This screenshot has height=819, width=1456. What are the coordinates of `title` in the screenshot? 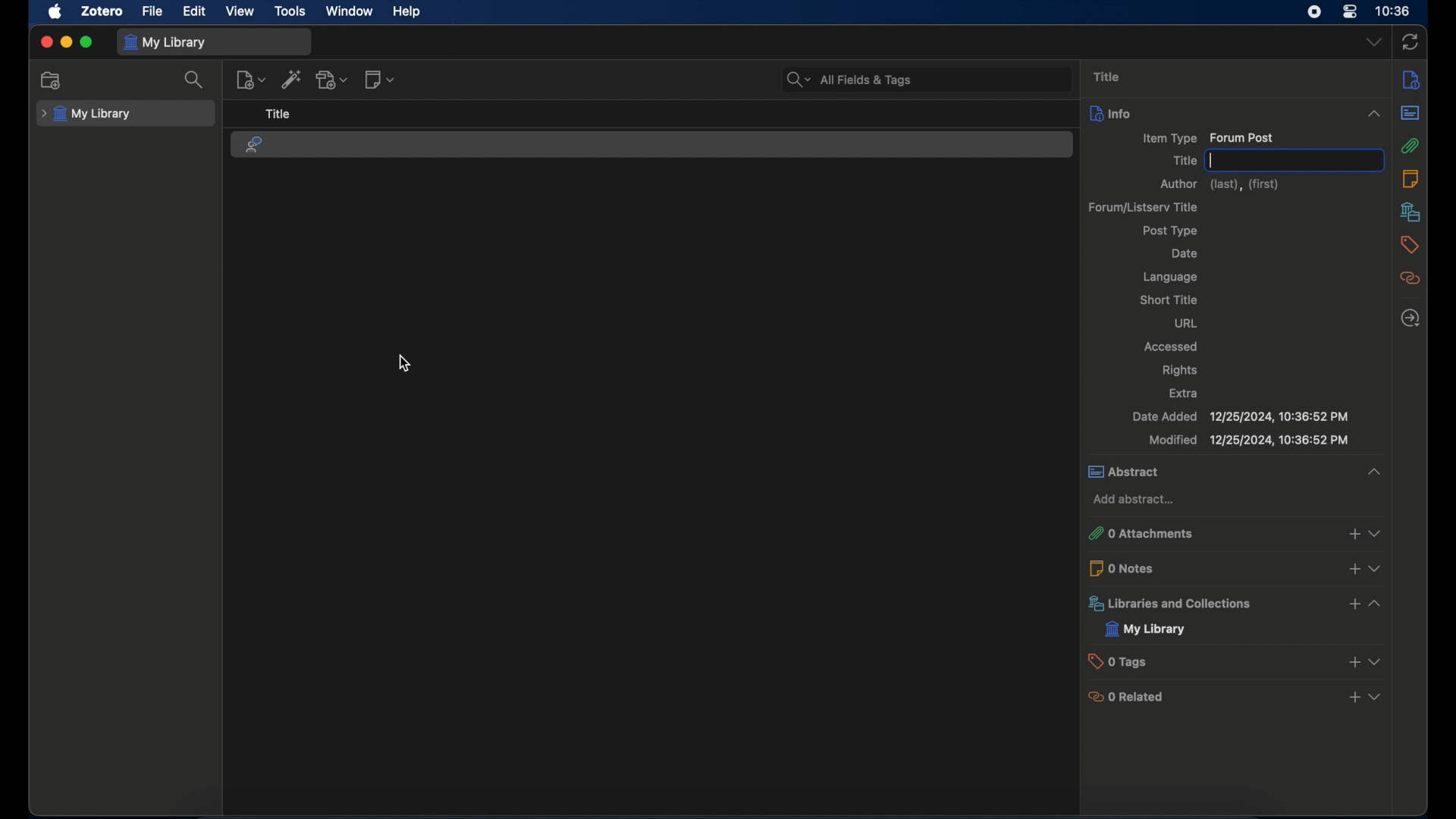 It's located at (278, 113).